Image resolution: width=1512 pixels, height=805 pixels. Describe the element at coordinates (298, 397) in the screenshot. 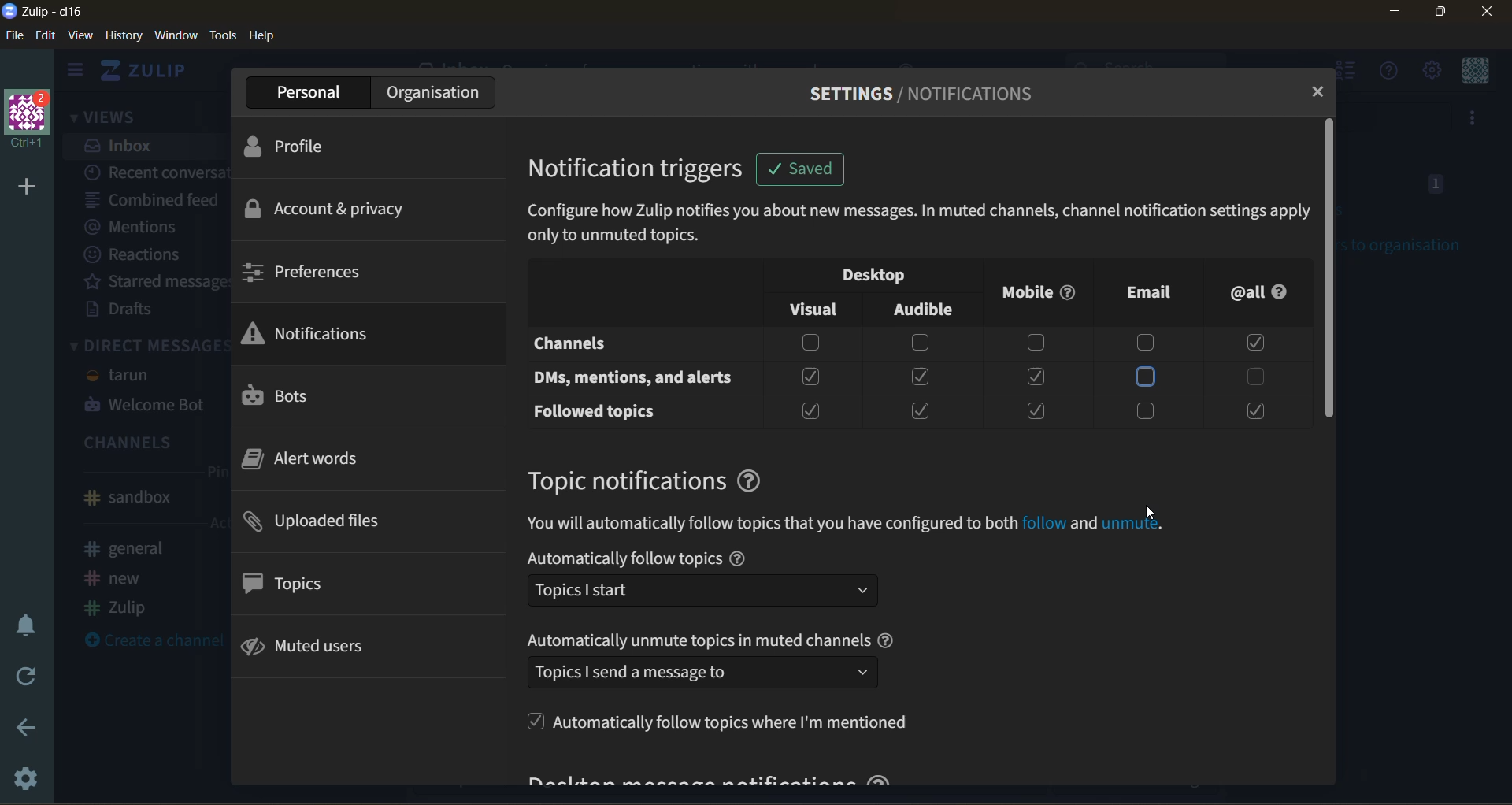

I see `bots` at that location.